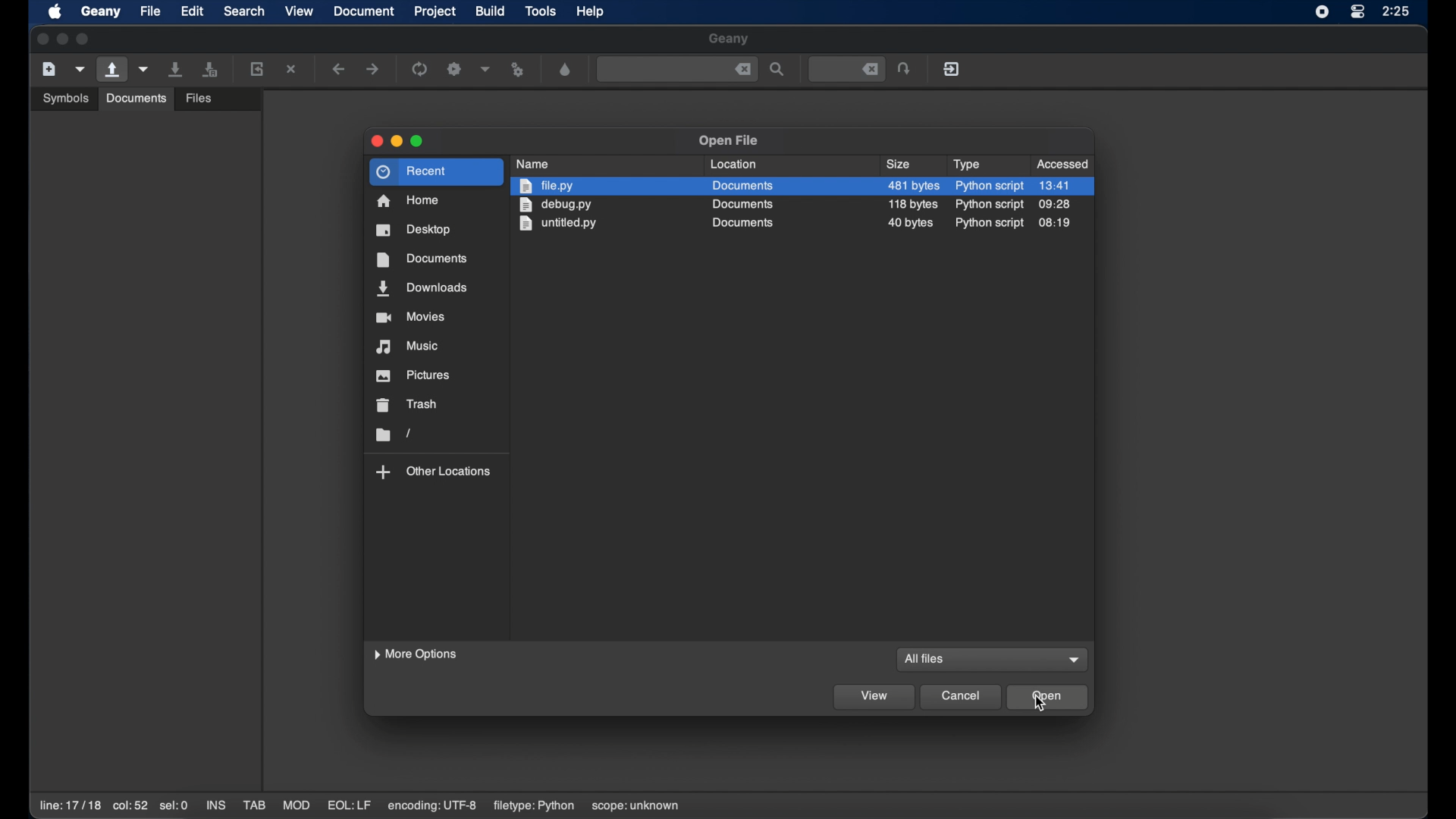 Image resolution: width=1456 pixels, height=819 pixels. Describe the element at coordinates (69, 806) in the screenshot. I see `line: 17/18` at that location.